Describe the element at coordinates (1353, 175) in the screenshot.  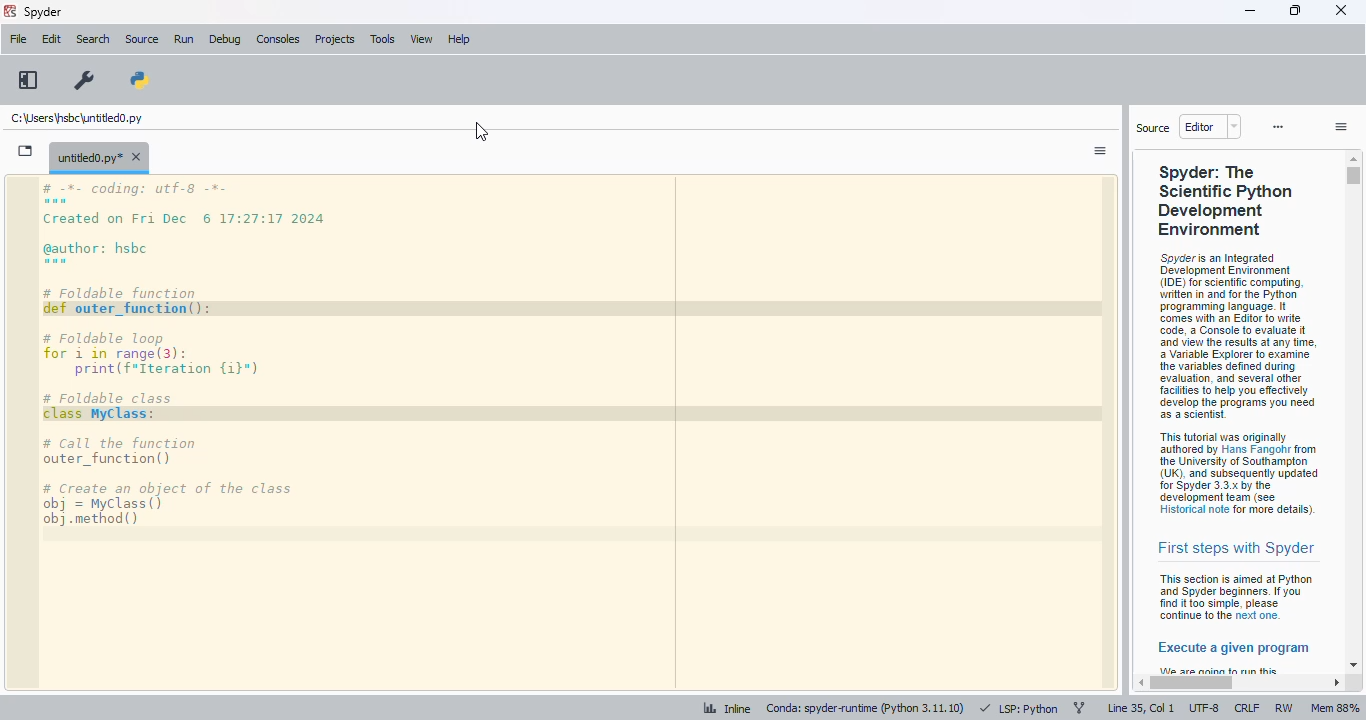
I see `vertical scroll bar` at that location.